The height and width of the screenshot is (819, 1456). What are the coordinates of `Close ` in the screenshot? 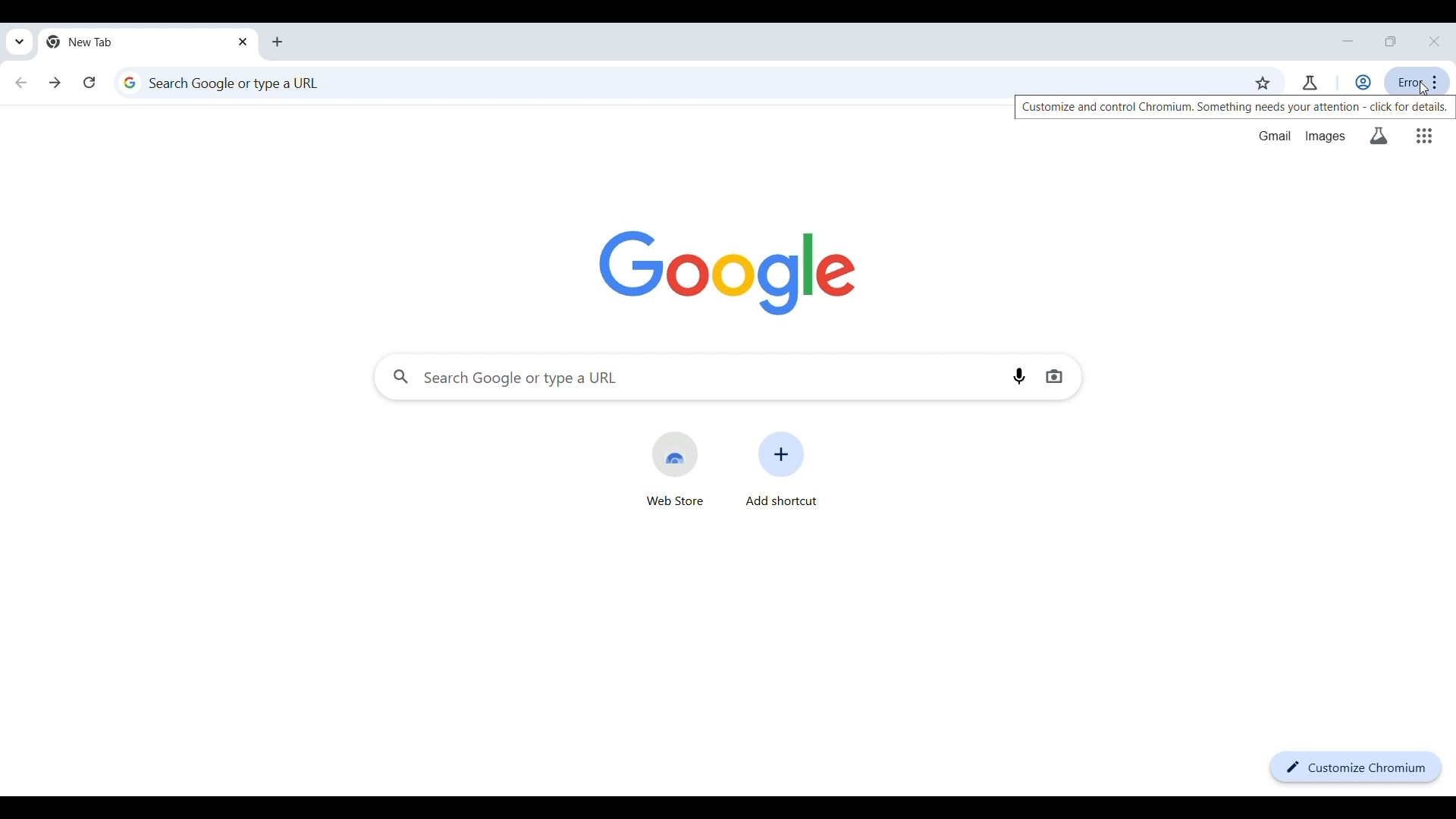 It's located at (1434, 42).